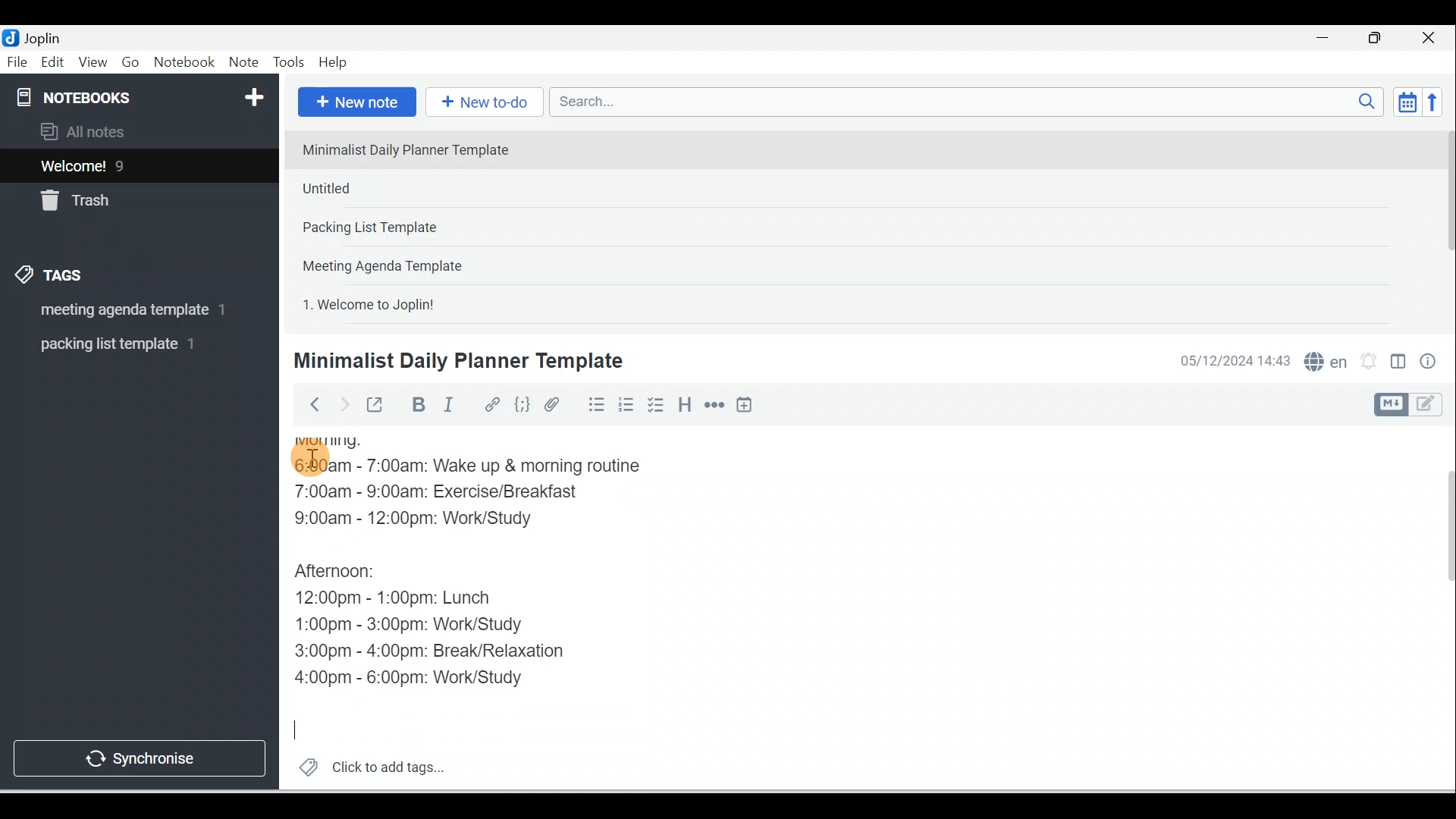 Image resolution: width=1456 pixels, height=819 pixels. What do you see at coordinates (480, 465) in the screenshot?
I see `6:00am - 7:00am: Wake up & morning routine` at bounding box center [480, 465].